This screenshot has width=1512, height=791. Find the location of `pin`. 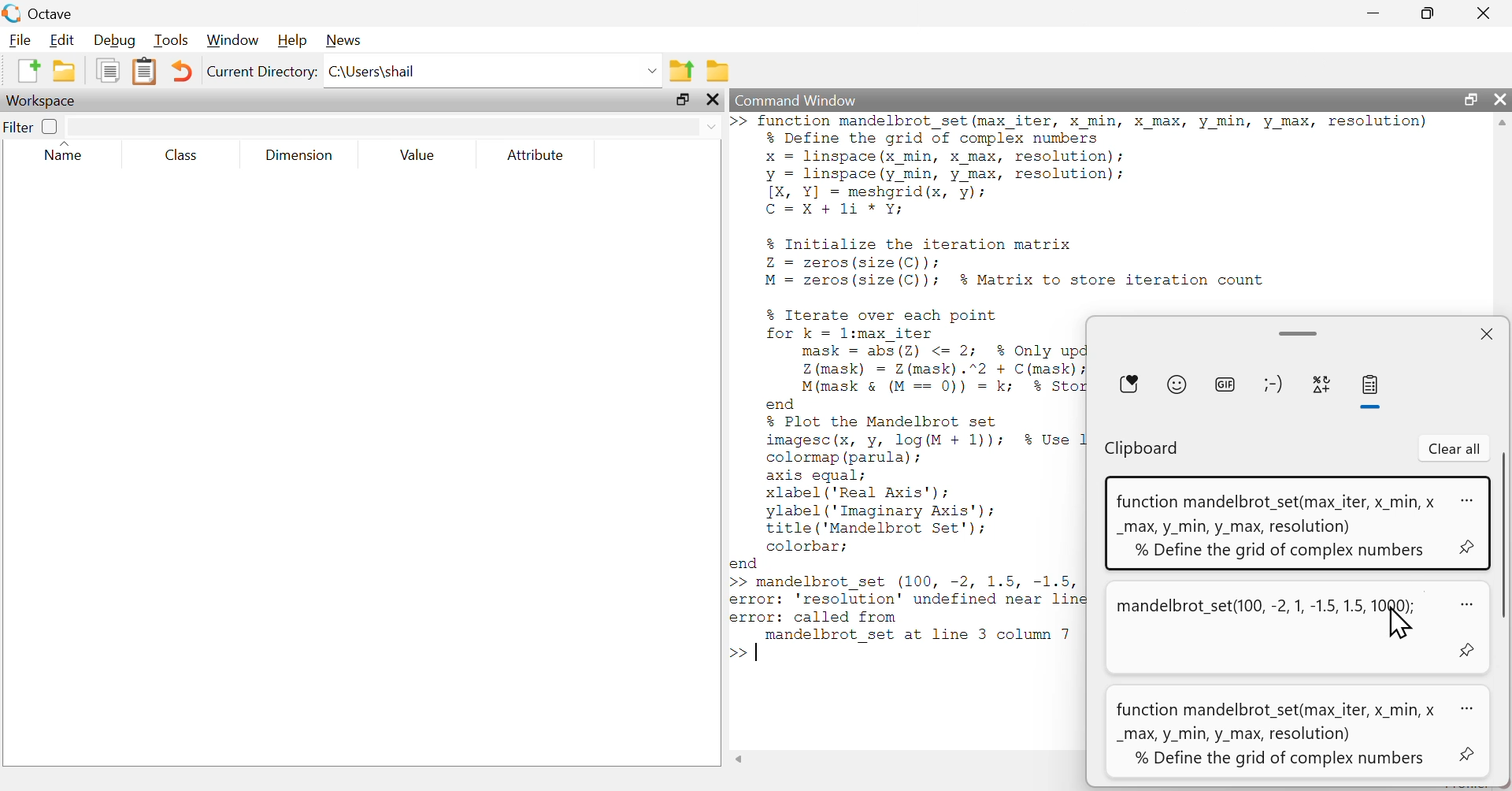

pin is located at coordinates (1466, 546).